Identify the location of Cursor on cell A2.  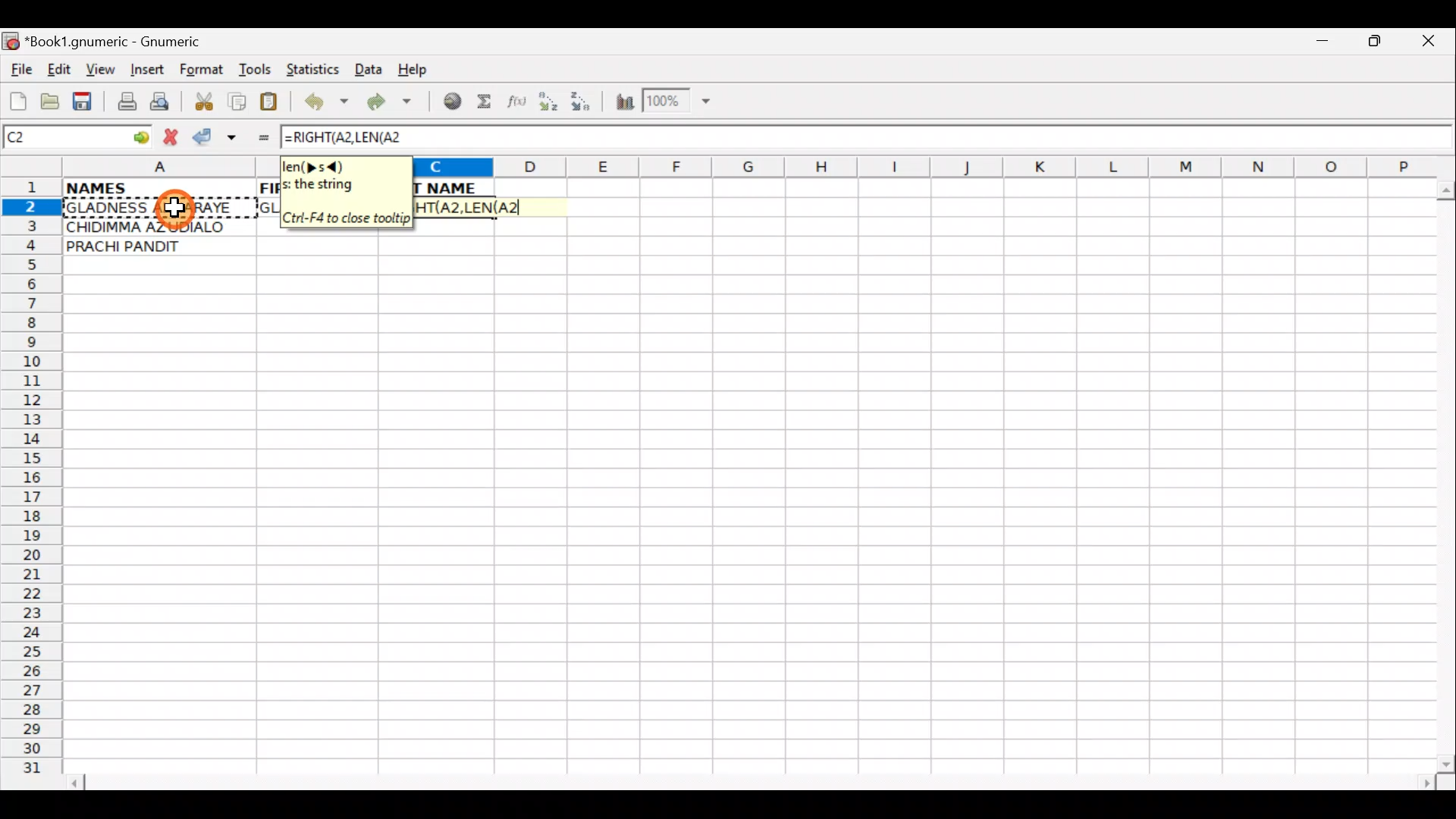
(170, 206).